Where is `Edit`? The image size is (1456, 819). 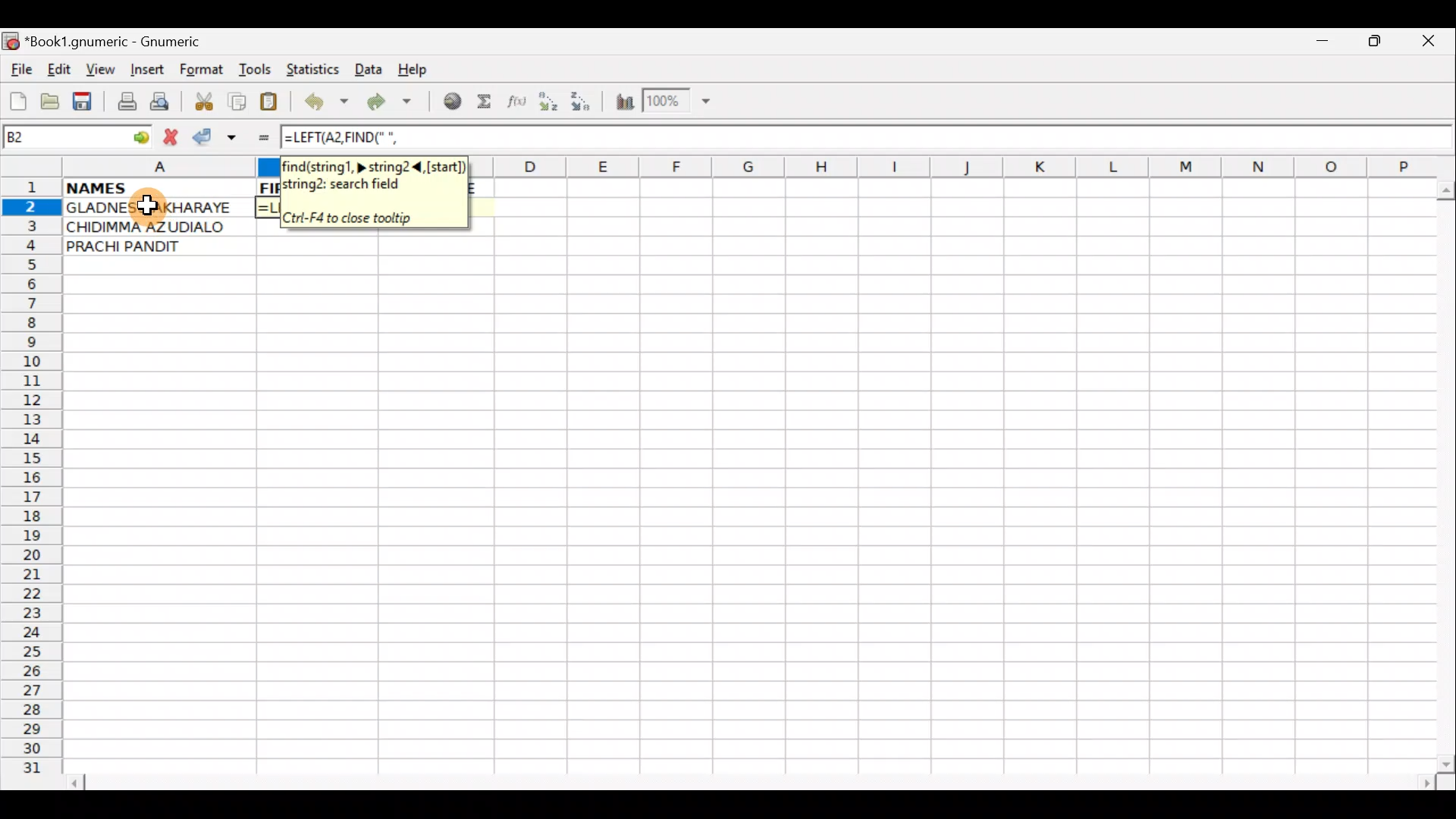 Edit is located at coordinates (58, 69).